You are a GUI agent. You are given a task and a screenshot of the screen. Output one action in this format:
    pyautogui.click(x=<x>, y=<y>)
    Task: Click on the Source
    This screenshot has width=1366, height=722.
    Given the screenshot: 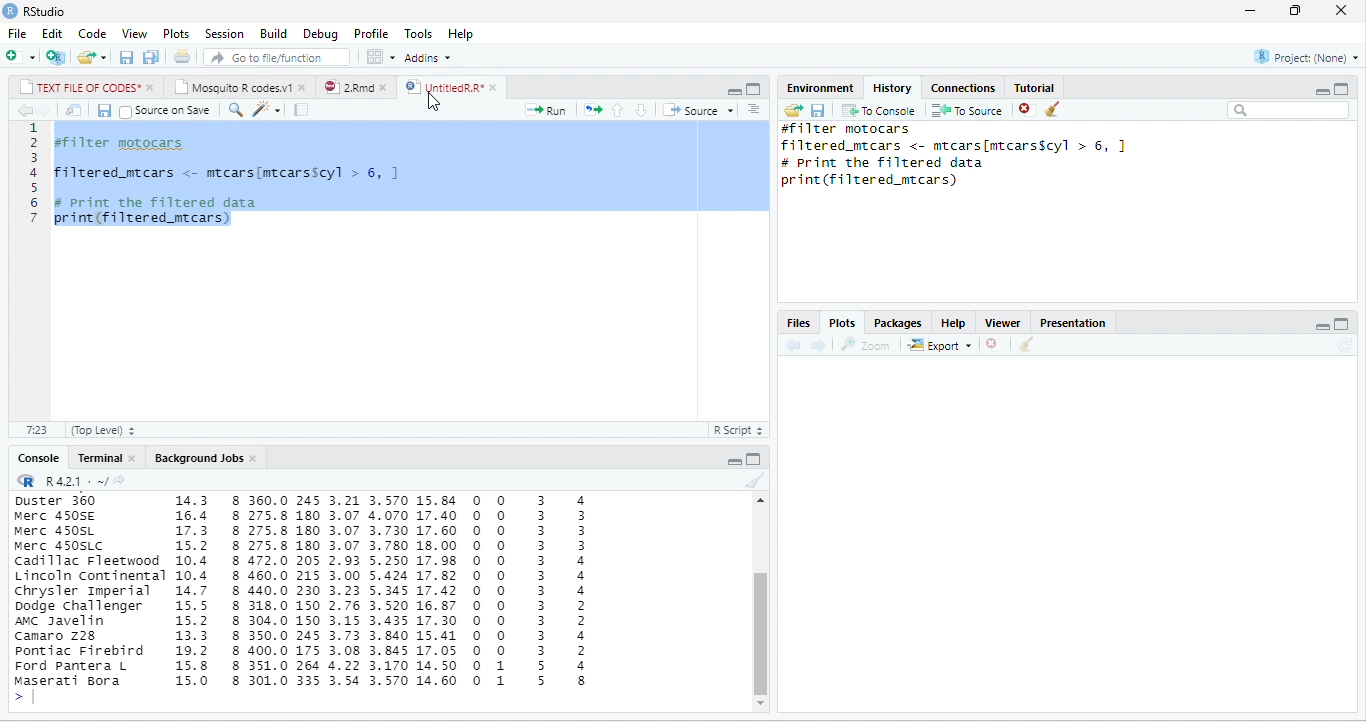 What is the action you would take?
    pyautogui.click(x=699, y=109)
    